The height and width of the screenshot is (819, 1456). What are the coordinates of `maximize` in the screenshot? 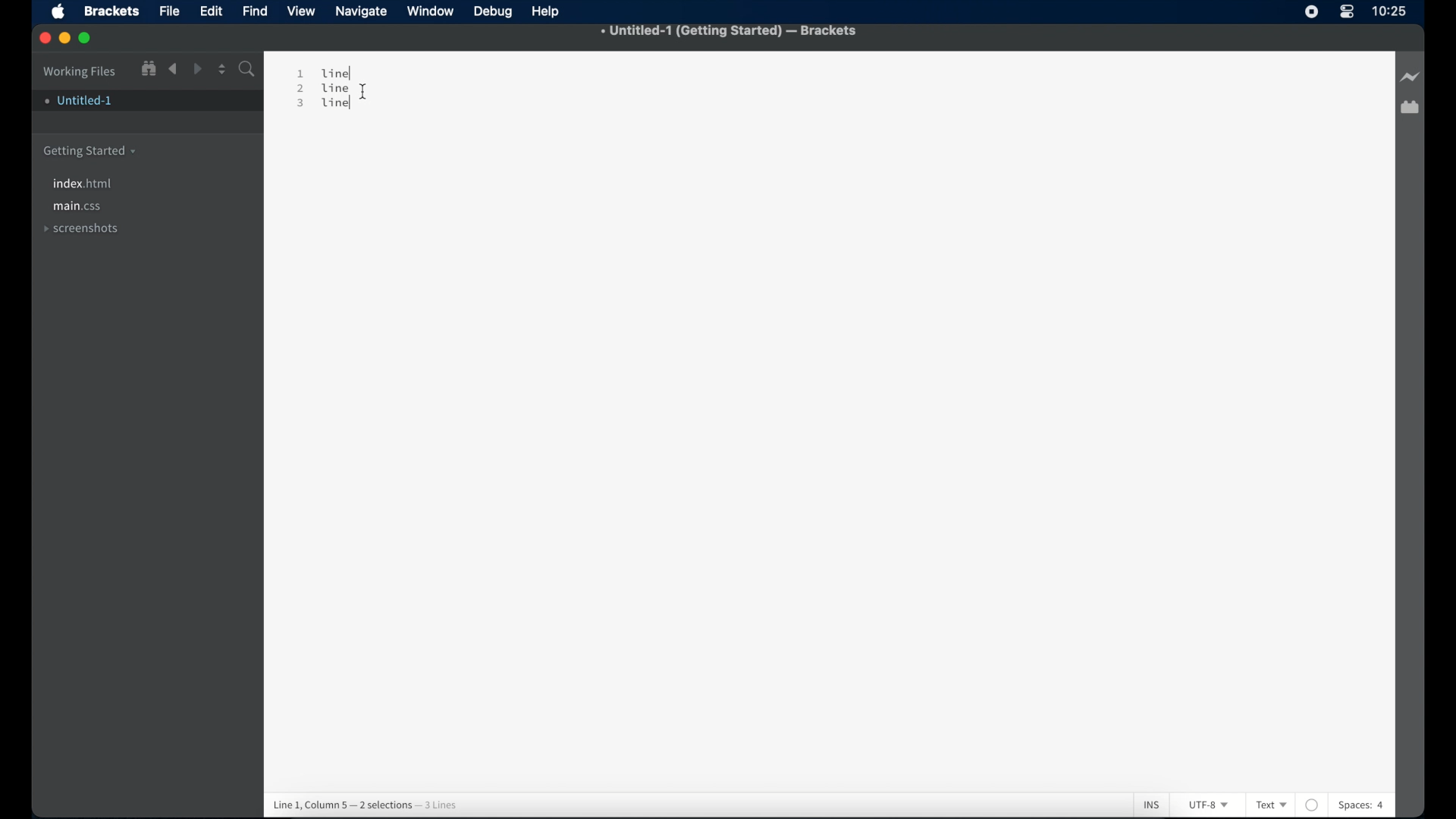 It's located at (86, 39).